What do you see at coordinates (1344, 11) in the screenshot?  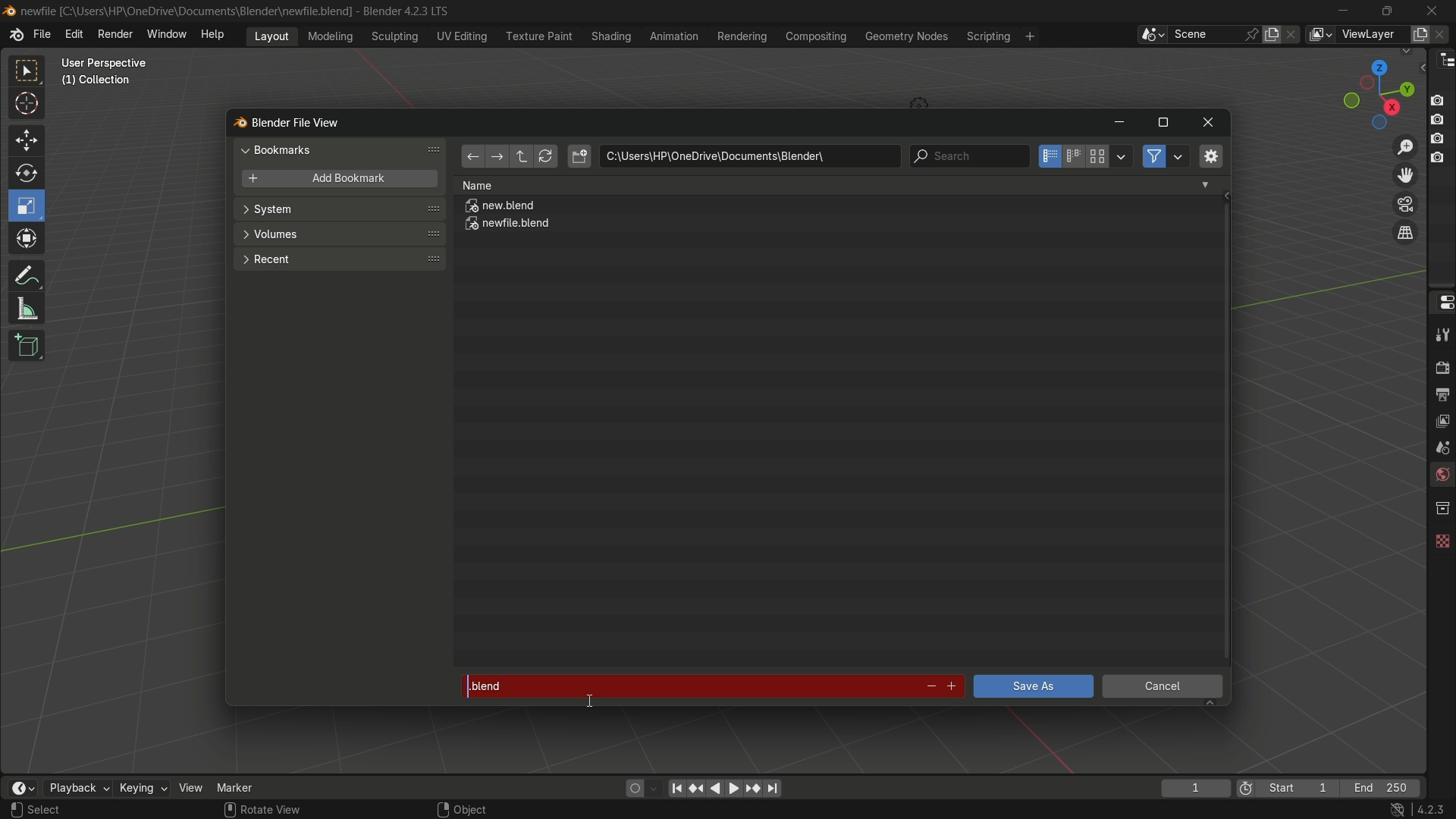 I see `minimize` at bounding box center [1344, 11].